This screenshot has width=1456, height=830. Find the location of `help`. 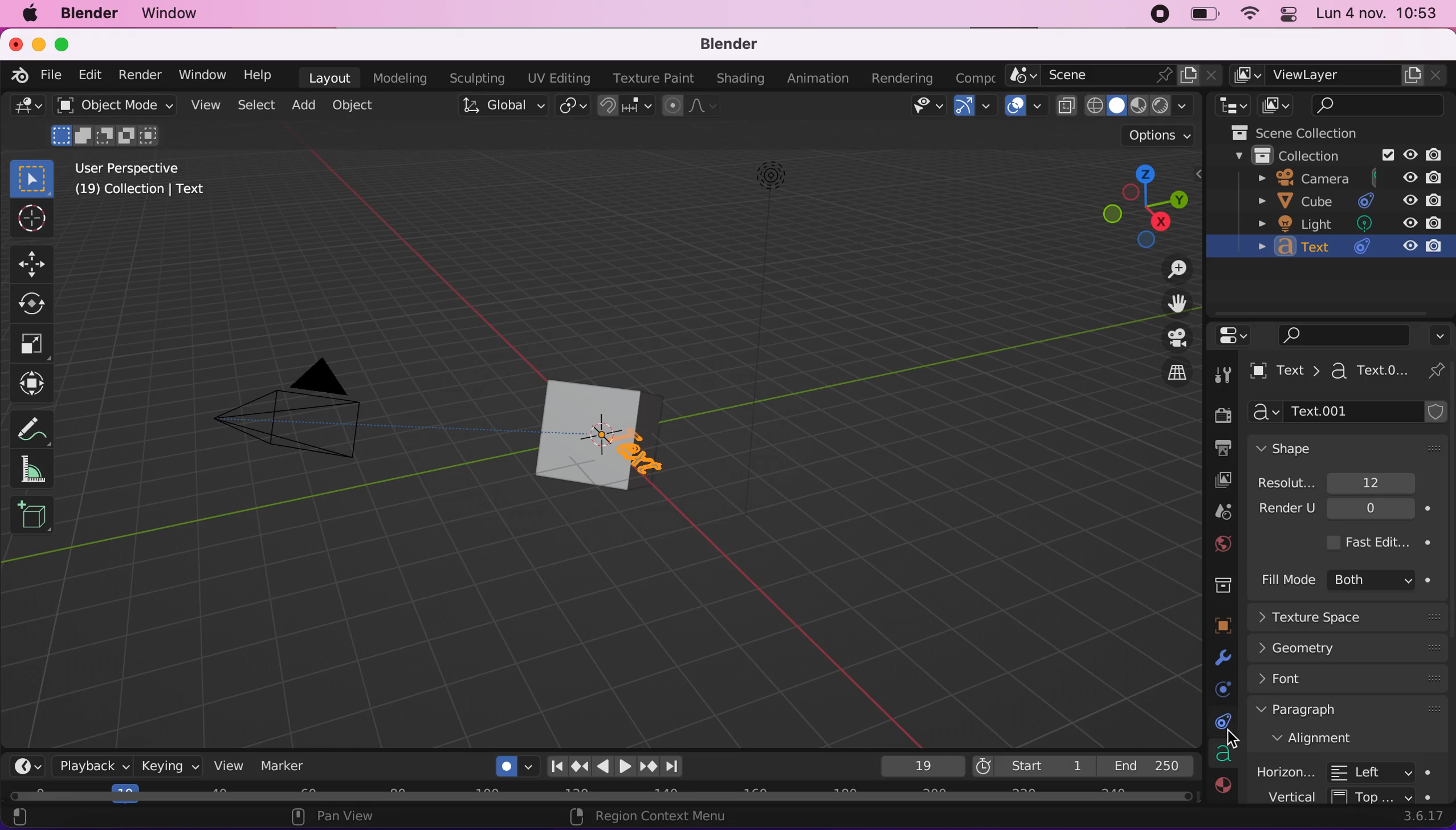

help is located at coordinates (263, 76).